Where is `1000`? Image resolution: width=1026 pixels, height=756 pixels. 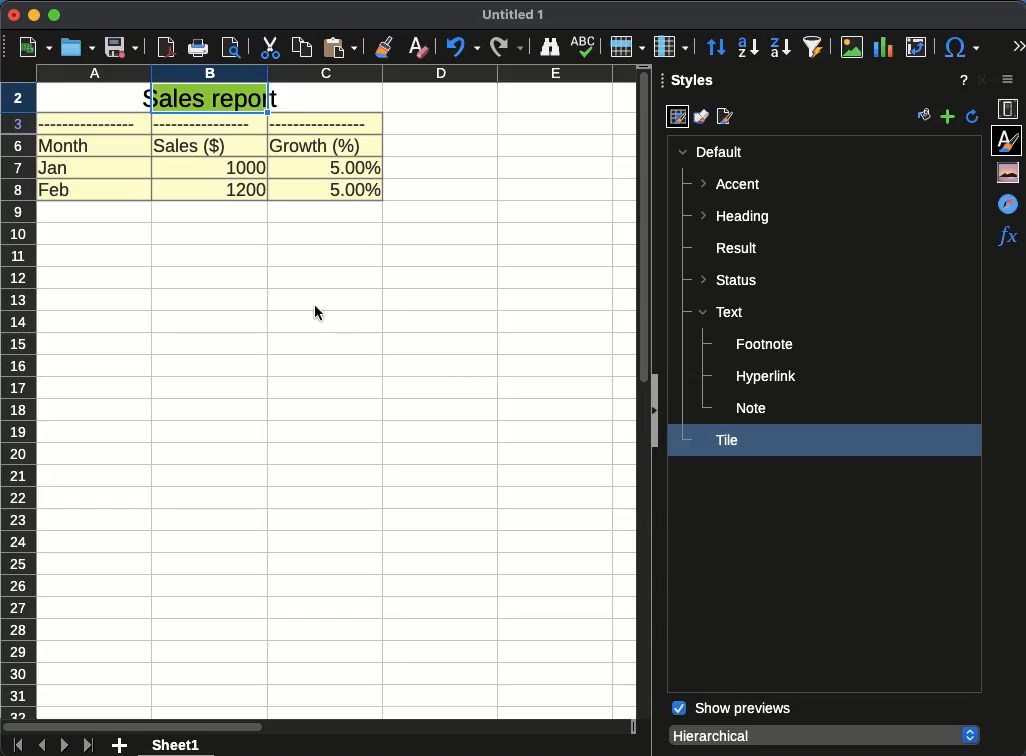 1000 is located at coordinates (247, 166).